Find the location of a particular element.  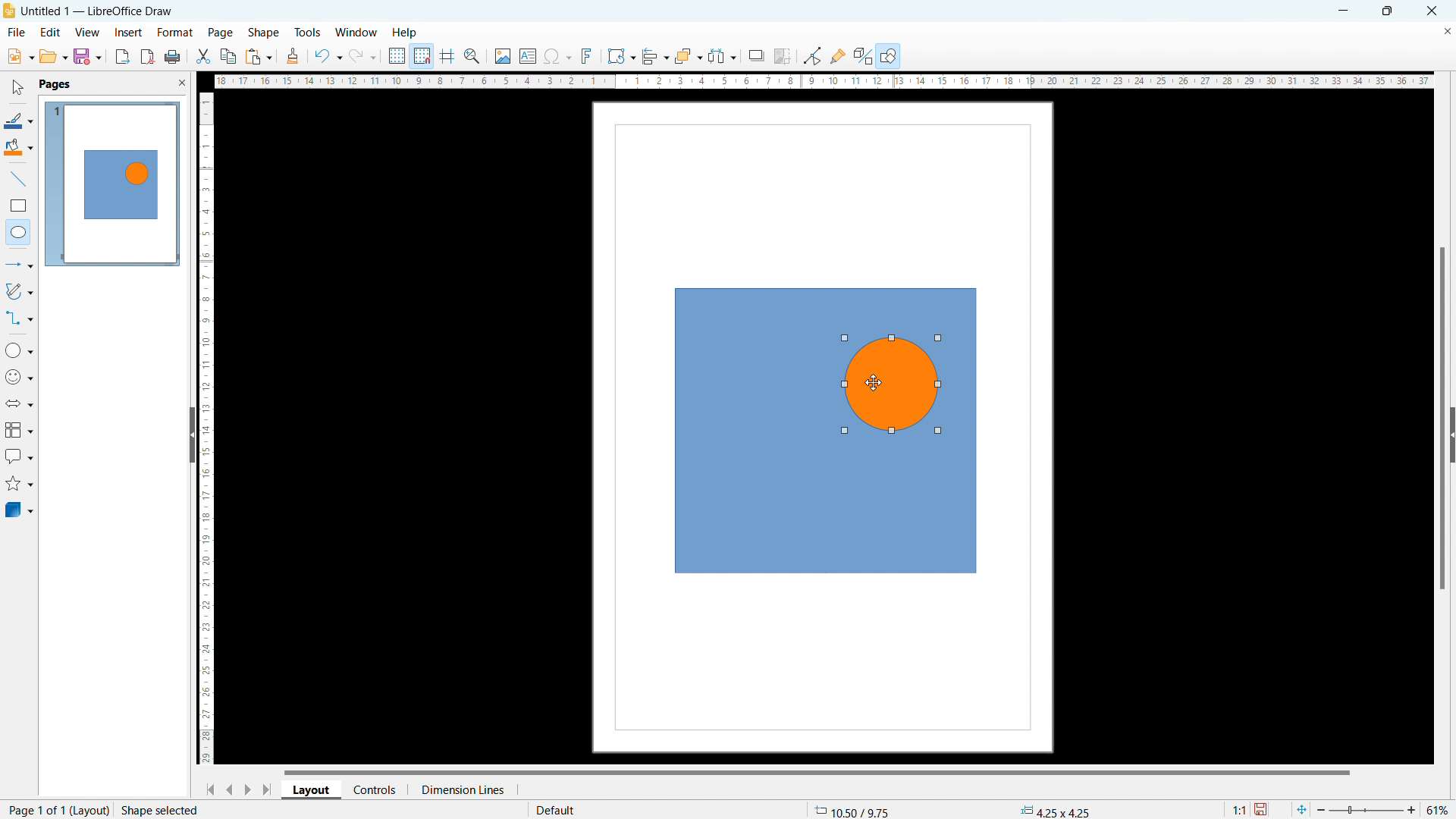

crop is located at coordinates (783, 56).